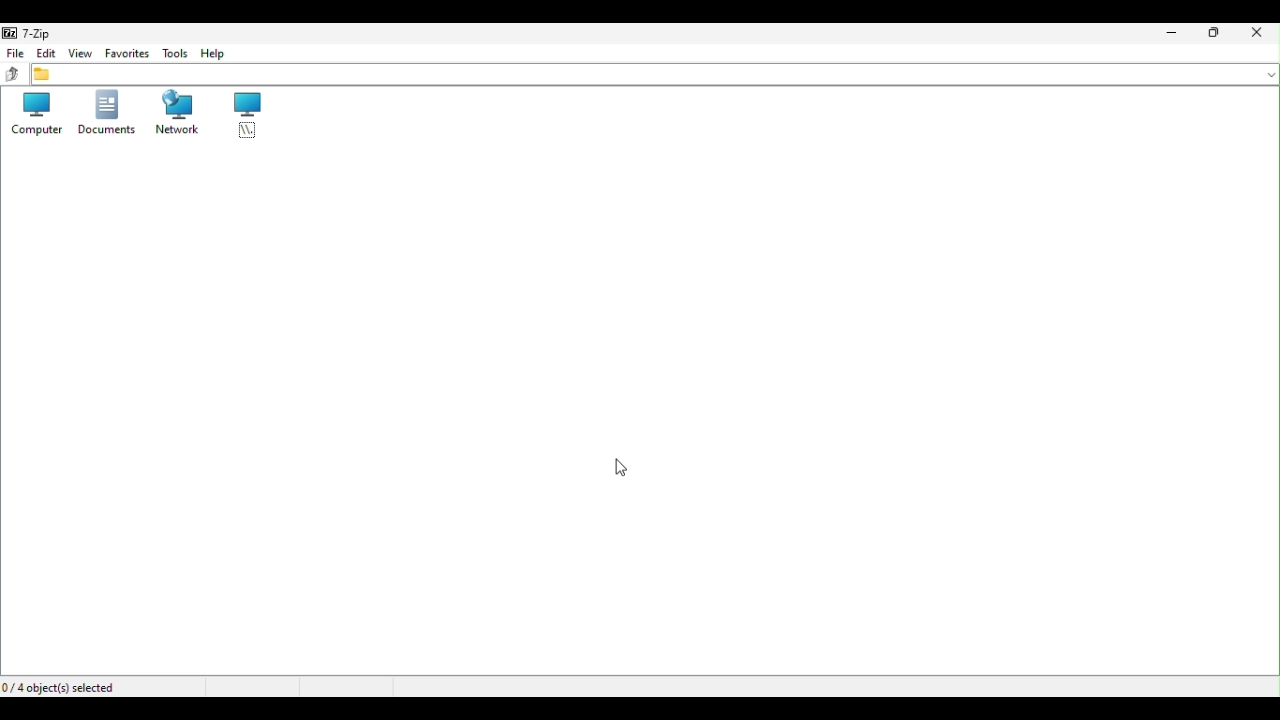 This screenshot has height=720, width=1280. I want to click on Tools, so click(174, 51).